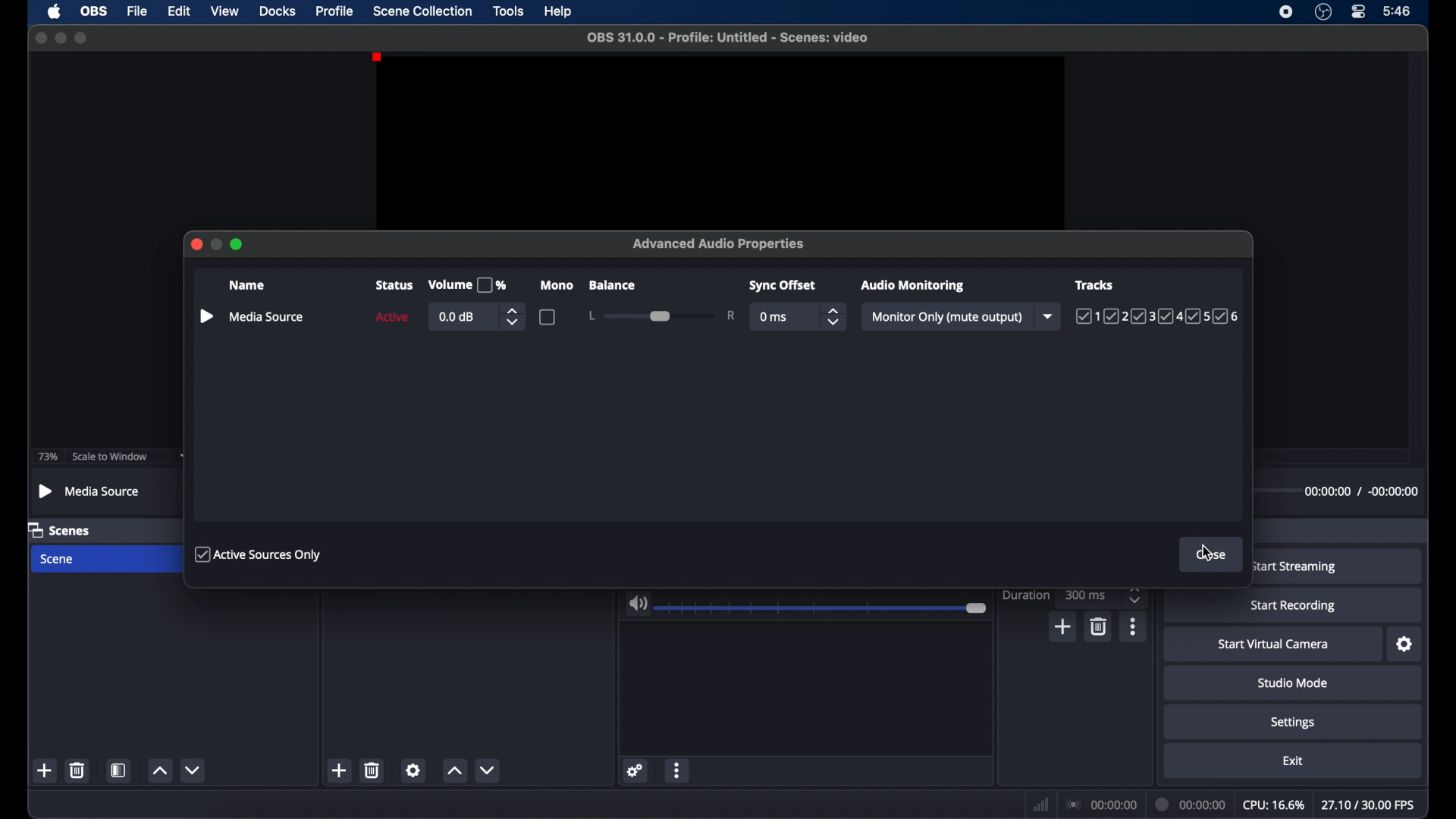 This screenshot has width=1456, height=819. I want to click on minimize, so click(60, 37).